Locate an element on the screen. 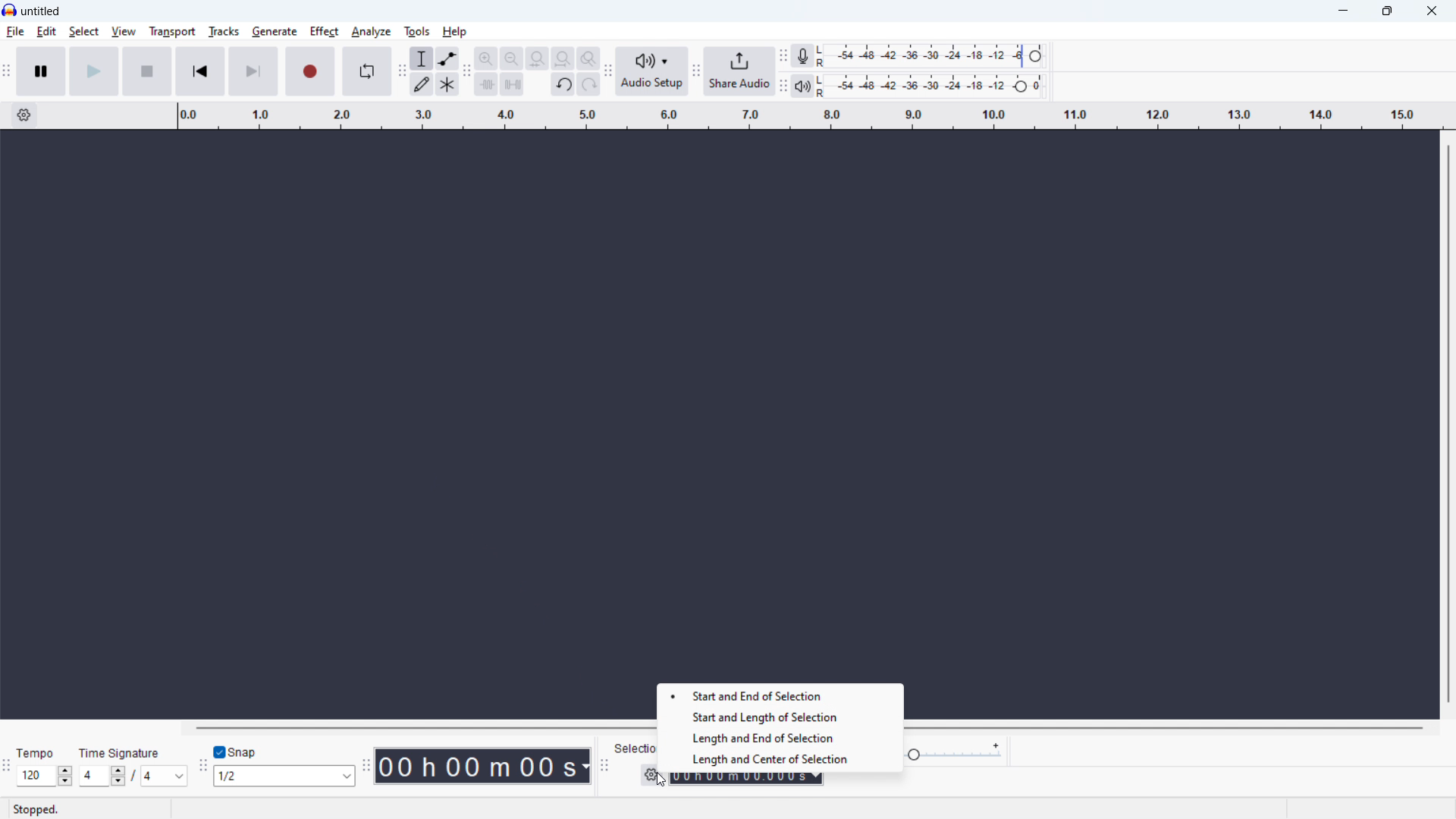  recording level is located at coordinates (930, 56).